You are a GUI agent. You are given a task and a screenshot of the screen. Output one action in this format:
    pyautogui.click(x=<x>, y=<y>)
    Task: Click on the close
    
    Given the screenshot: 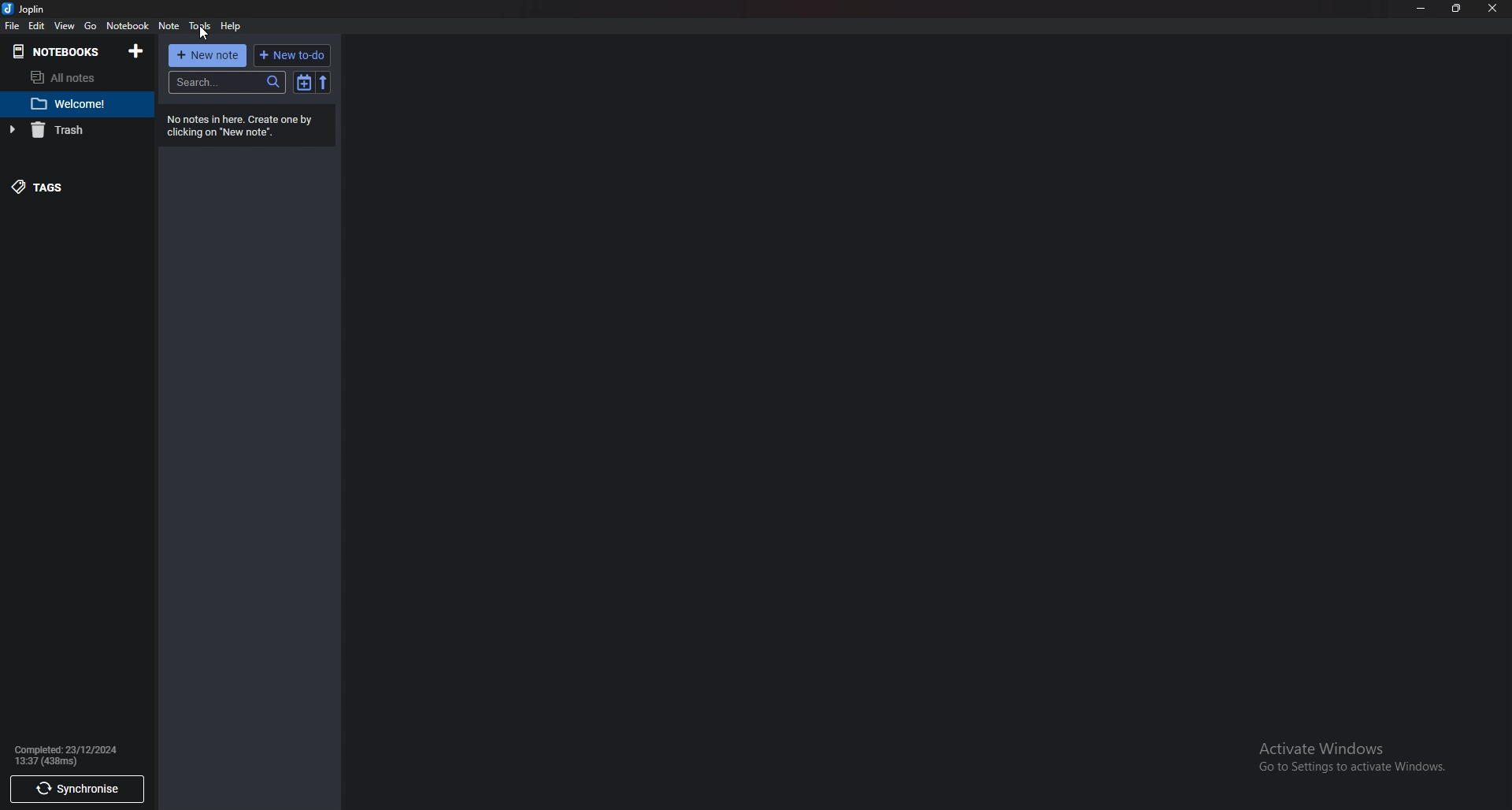 What is the action you would take?
    pyautogui.click(x=1492, y=9)
    